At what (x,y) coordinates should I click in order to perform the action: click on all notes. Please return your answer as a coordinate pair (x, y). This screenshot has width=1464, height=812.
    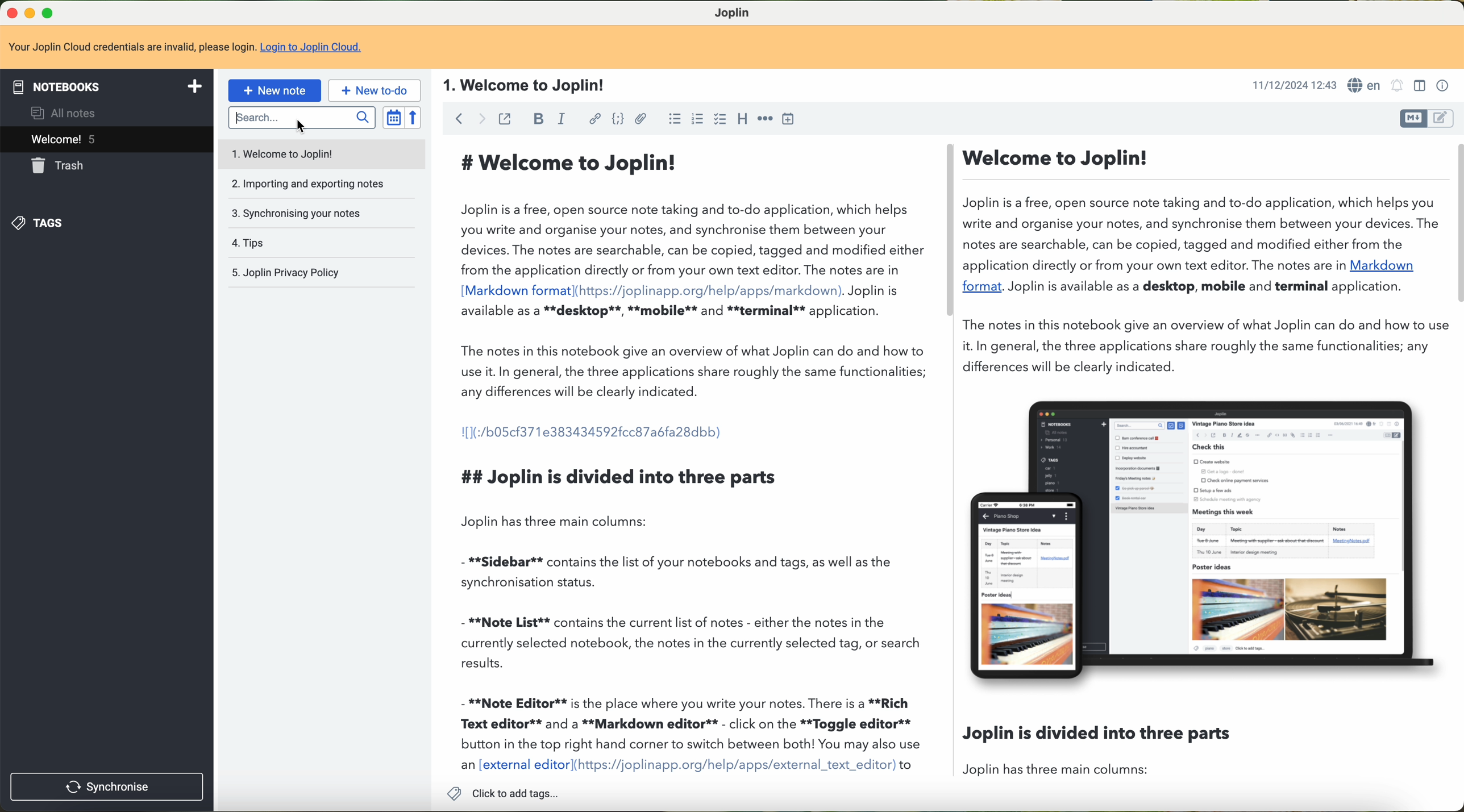
    Looking at the image, I should click on (66, 112).